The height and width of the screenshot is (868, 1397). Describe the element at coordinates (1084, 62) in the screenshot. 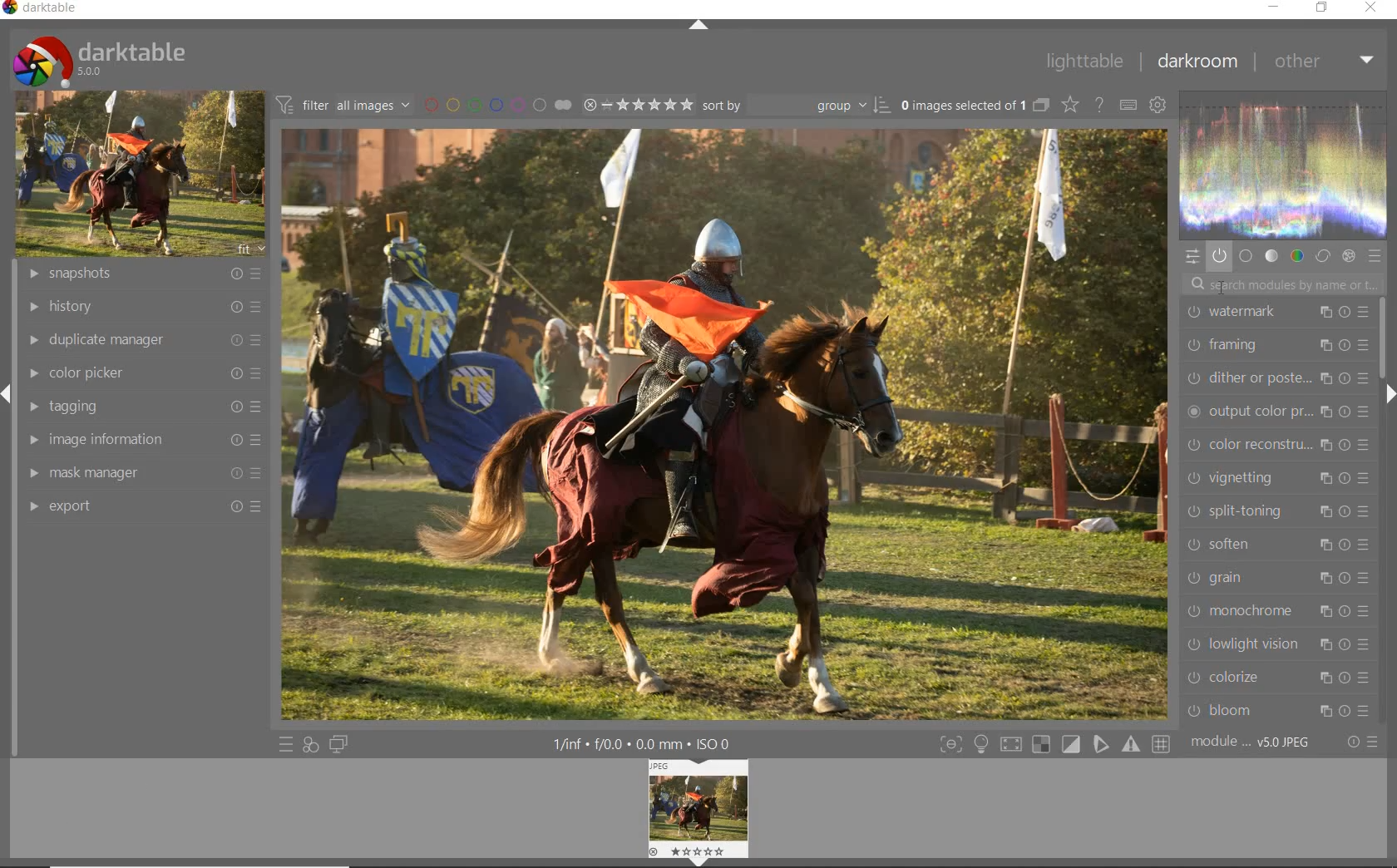

I see `lighttable` at that location.